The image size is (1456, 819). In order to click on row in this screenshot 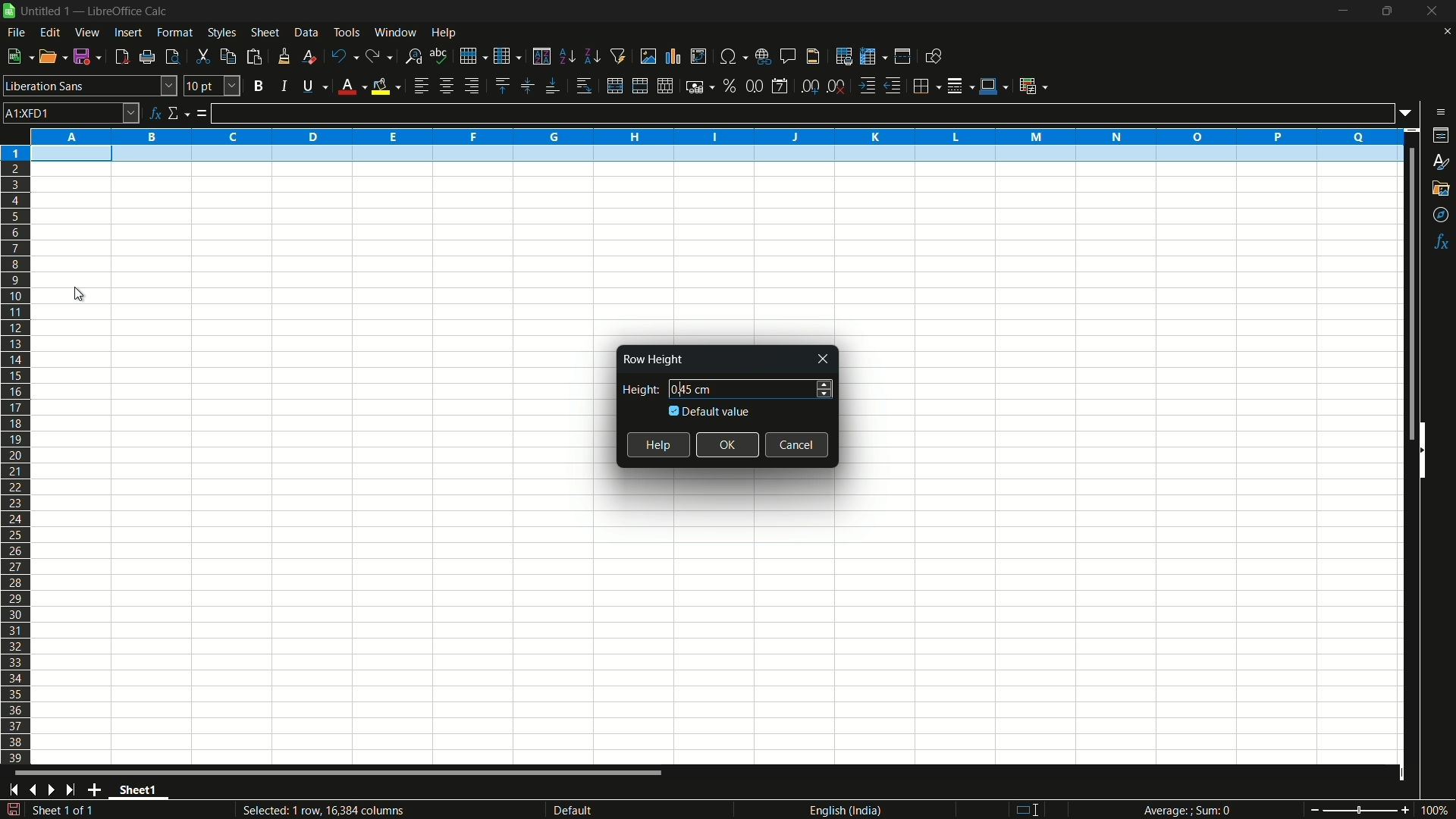, I will do `click(473, 55)`.